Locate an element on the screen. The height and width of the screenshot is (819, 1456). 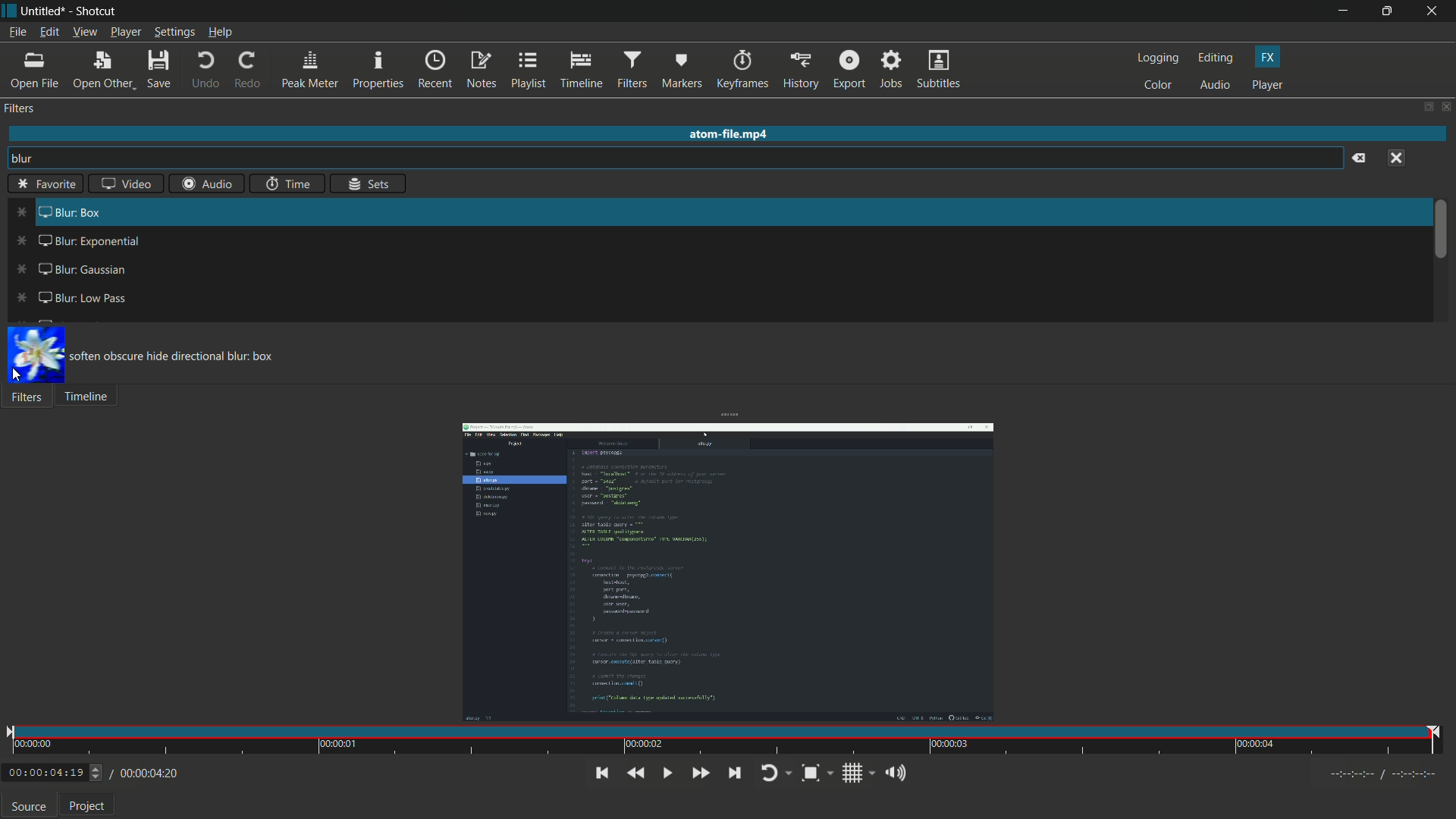
subtitles is located at coordinates (938, 71).